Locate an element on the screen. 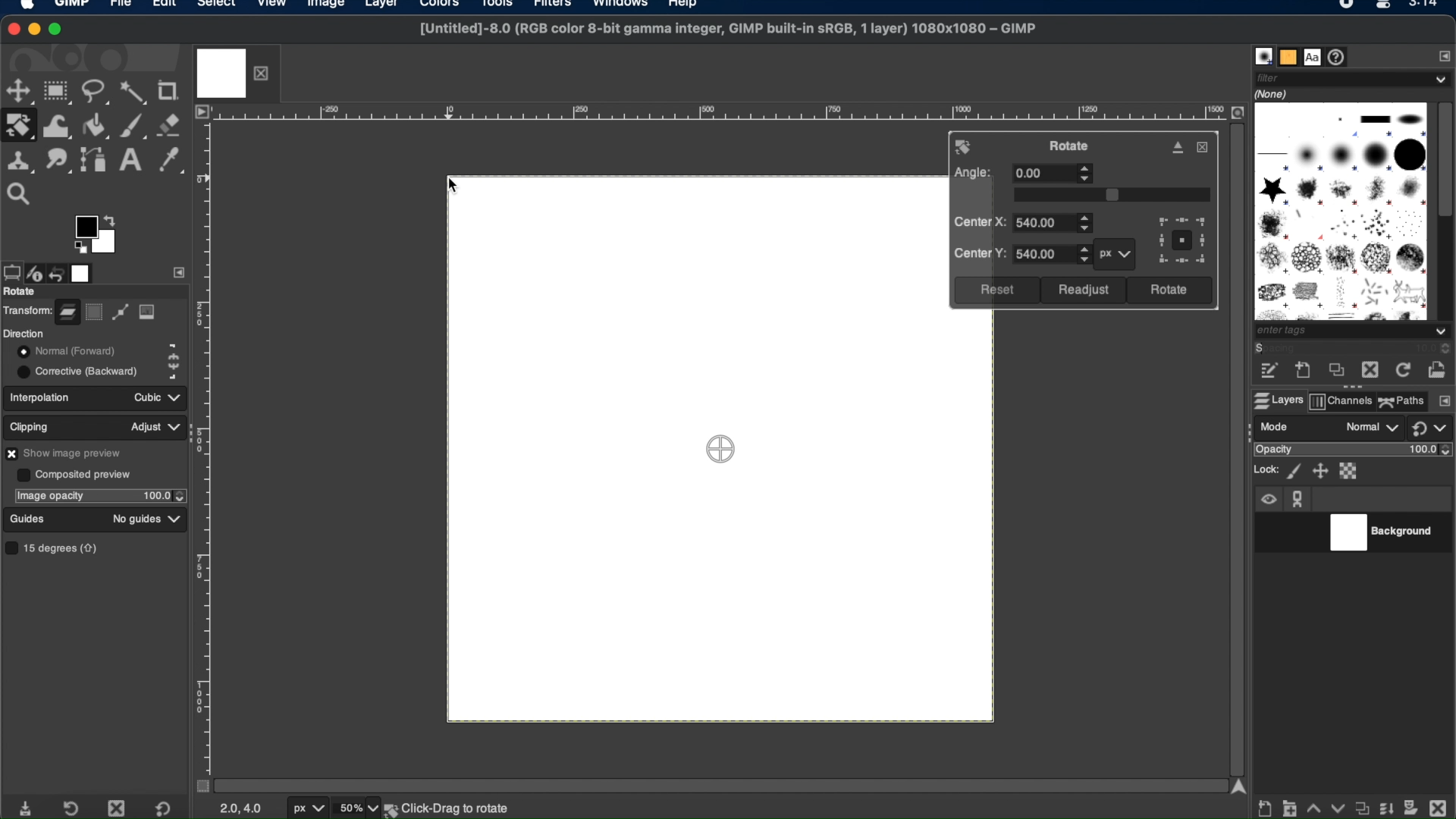  switch to another group of modes is located at coordinates (1433, 429).